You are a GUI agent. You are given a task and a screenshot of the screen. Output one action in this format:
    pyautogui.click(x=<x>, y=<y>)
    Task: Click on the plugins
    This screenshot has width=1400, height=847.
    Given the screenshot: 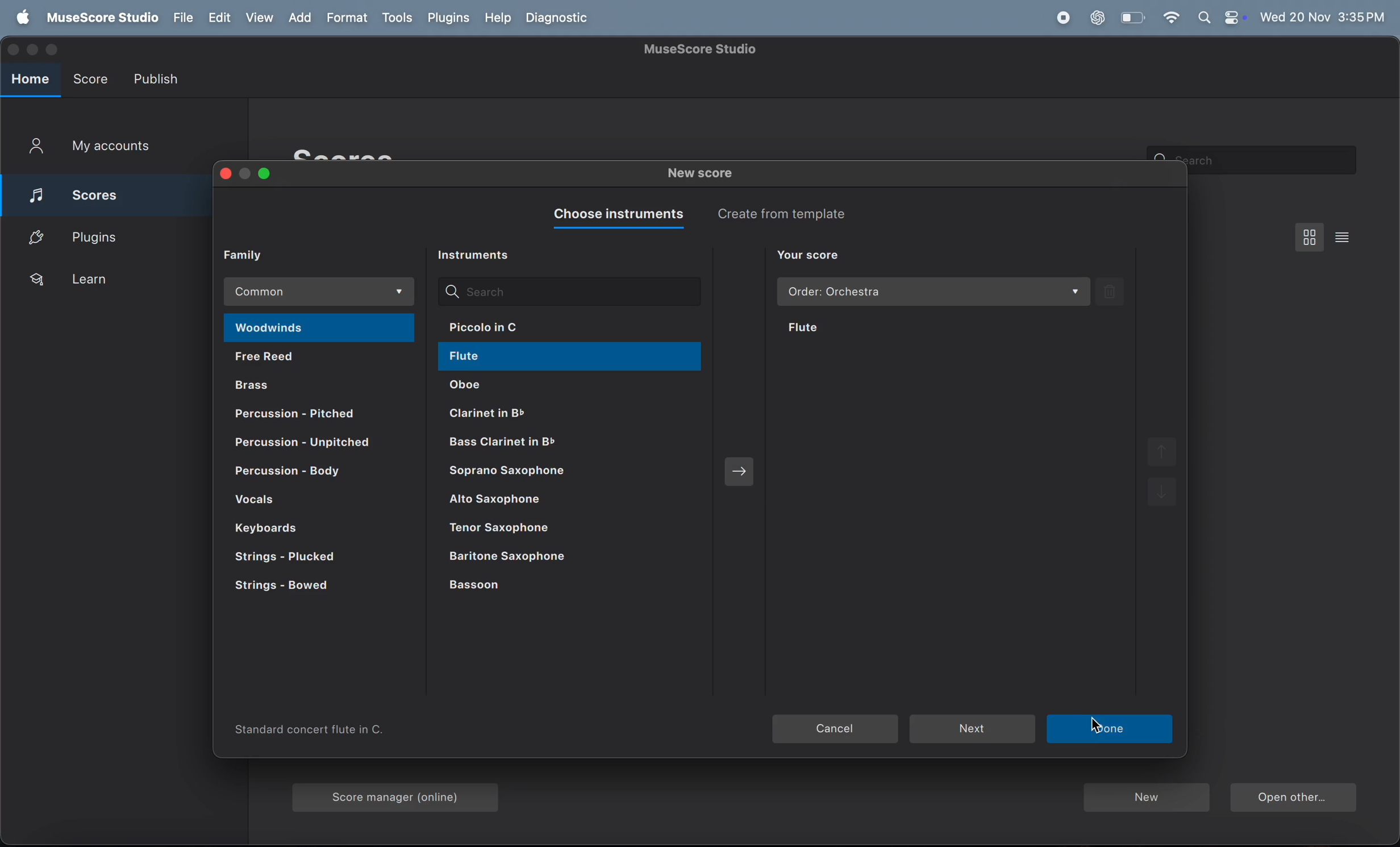 What is the action you would take?
    pyautogui.click(x=101, y=236)
    